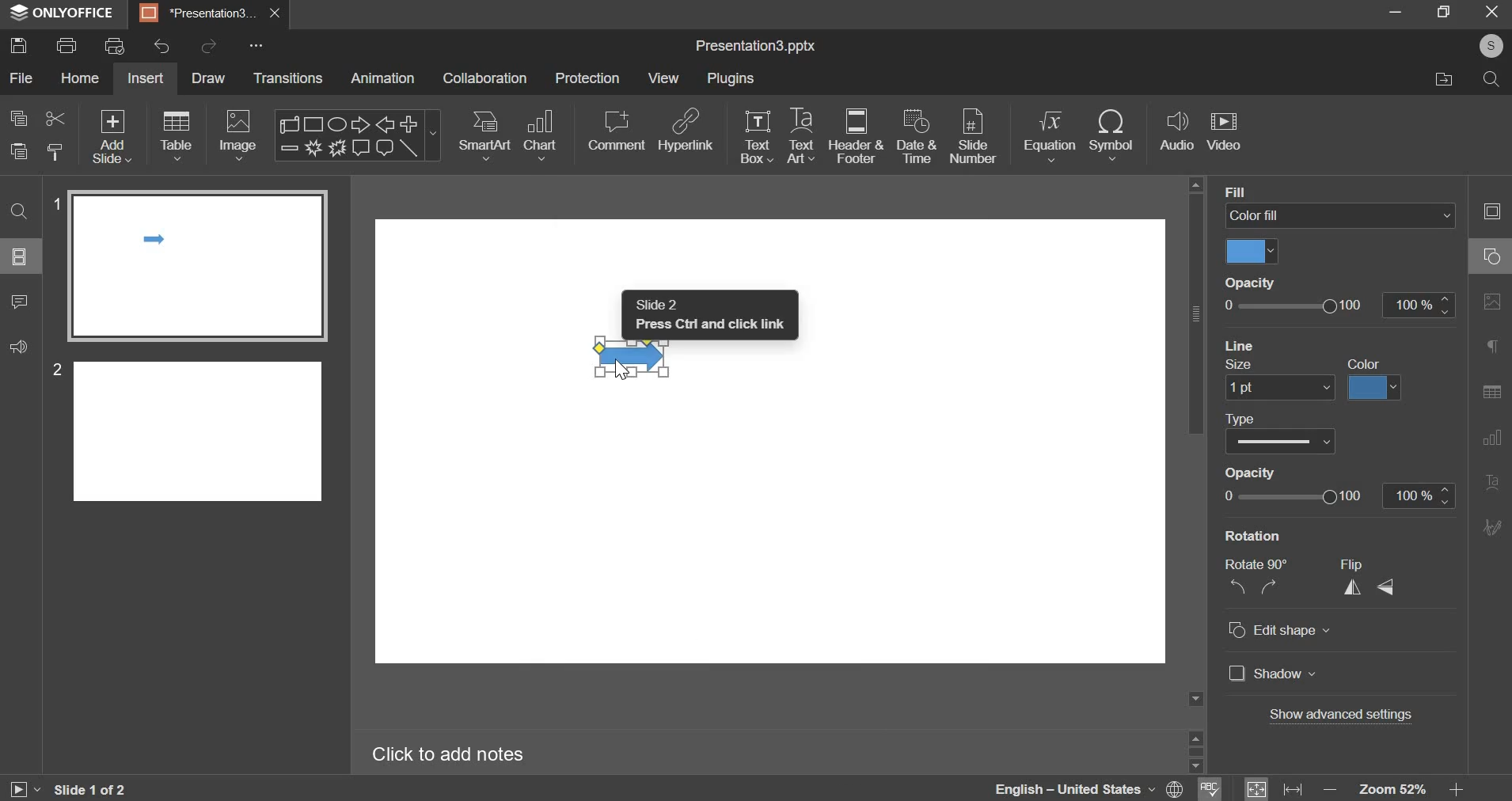 This screenshot has height=801, width=1512. Describe the element at coordinates (382, 78) in the screenshot. I see `animation` at that location.